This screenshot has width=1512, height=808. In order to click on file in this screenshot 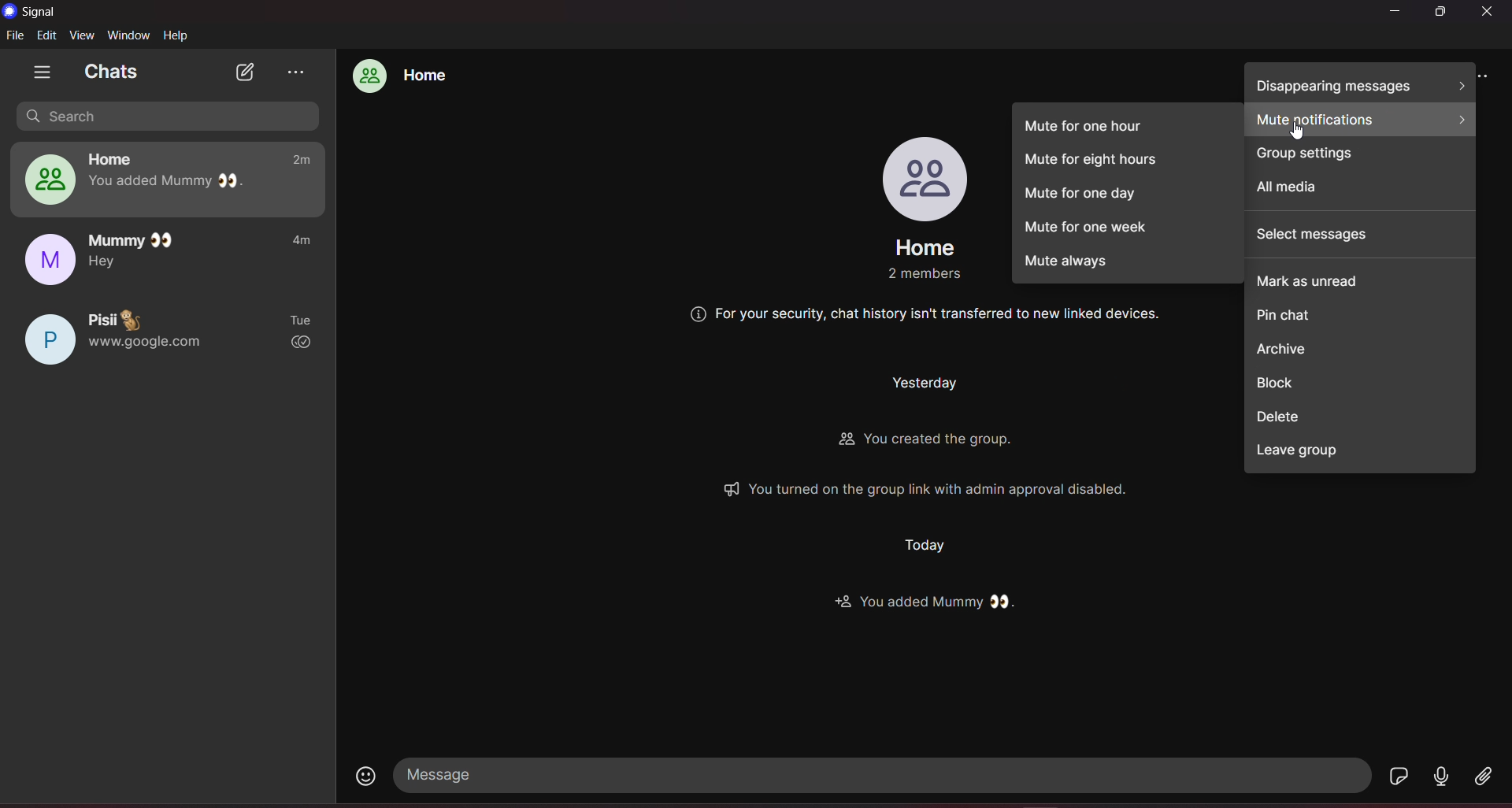, I will do `click(16, 36)`.